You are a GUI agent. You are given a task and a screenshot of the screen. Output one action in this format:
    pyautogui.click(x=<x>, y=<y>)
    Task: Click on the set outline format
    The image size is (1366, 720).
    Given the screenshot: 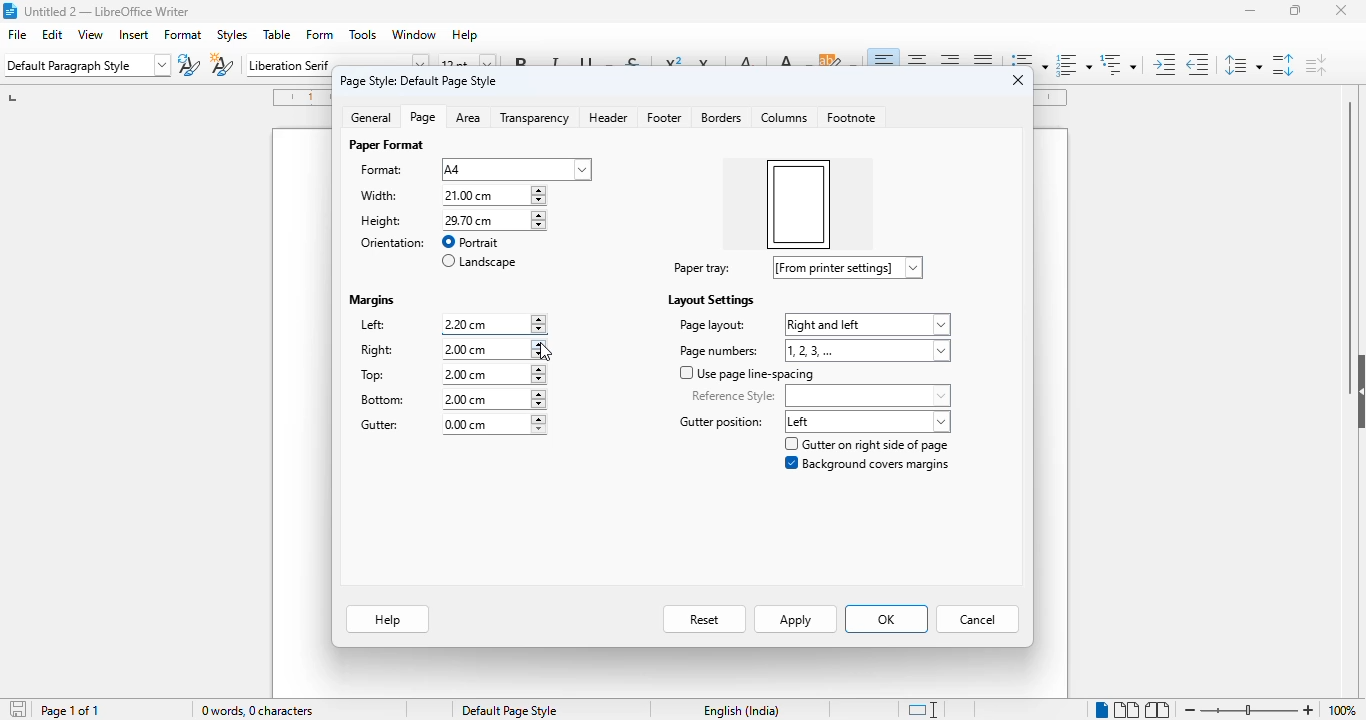 What is the action you would take?
    pyautogui.click(x=1118, y=65)
    